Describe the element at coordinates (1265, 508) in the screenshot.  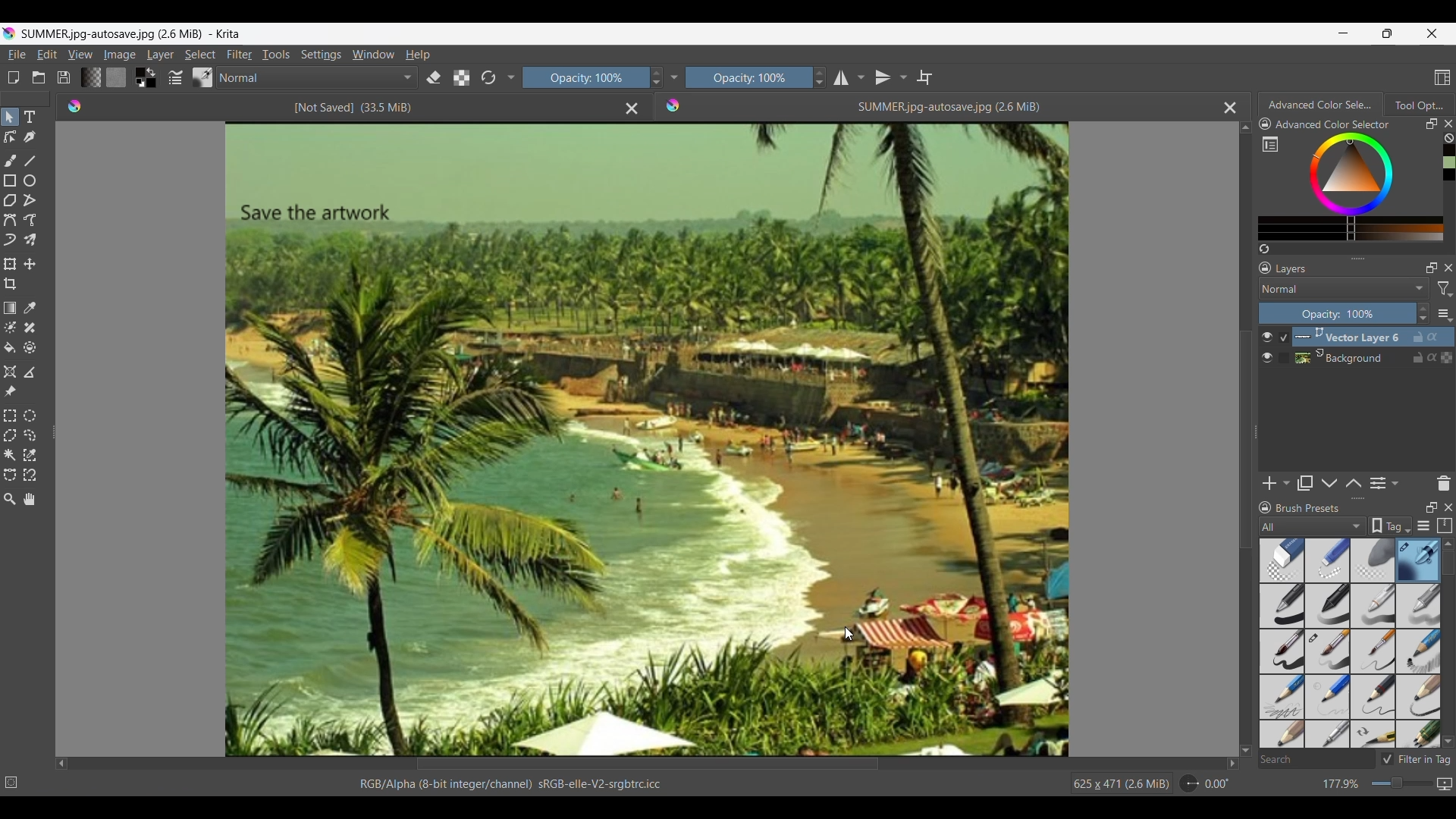
I see `Lock Brush presets panel` at that location.